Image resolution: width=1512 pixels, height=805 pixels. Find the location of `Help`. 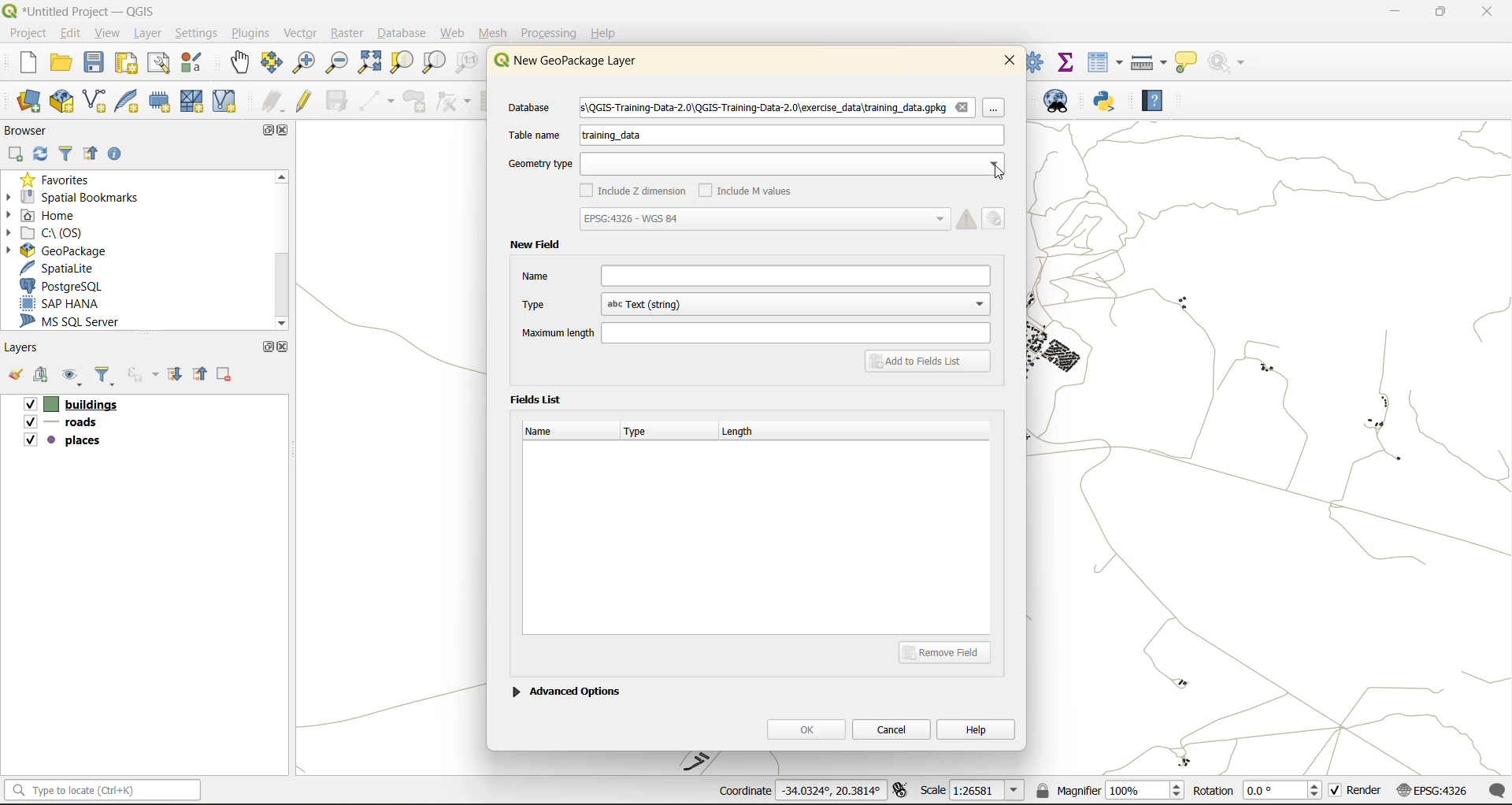

Help is located at coordinates (604, 33).